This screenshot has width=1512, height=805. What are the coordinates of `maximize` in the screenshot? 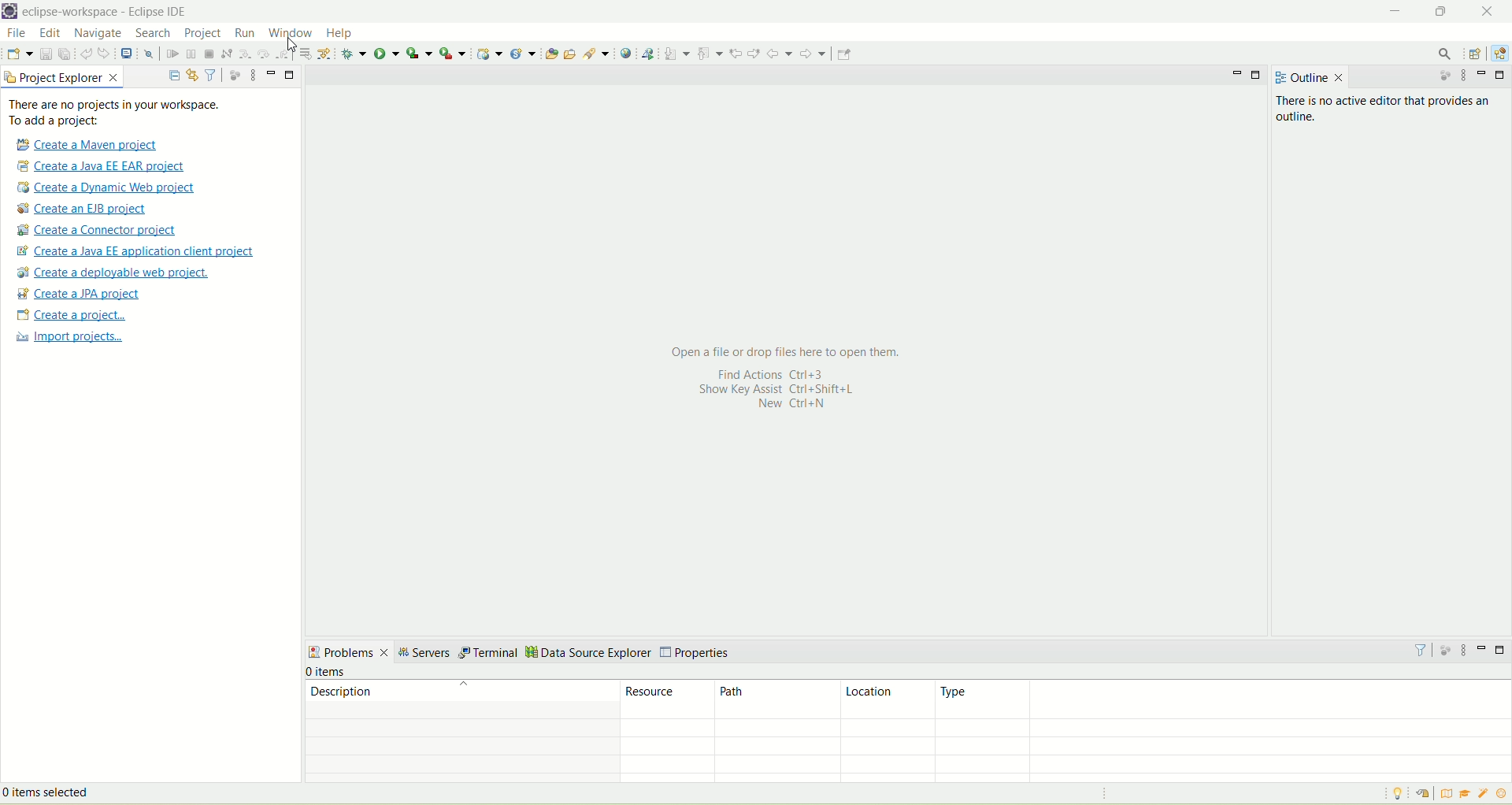 It's located at (1501, 650).